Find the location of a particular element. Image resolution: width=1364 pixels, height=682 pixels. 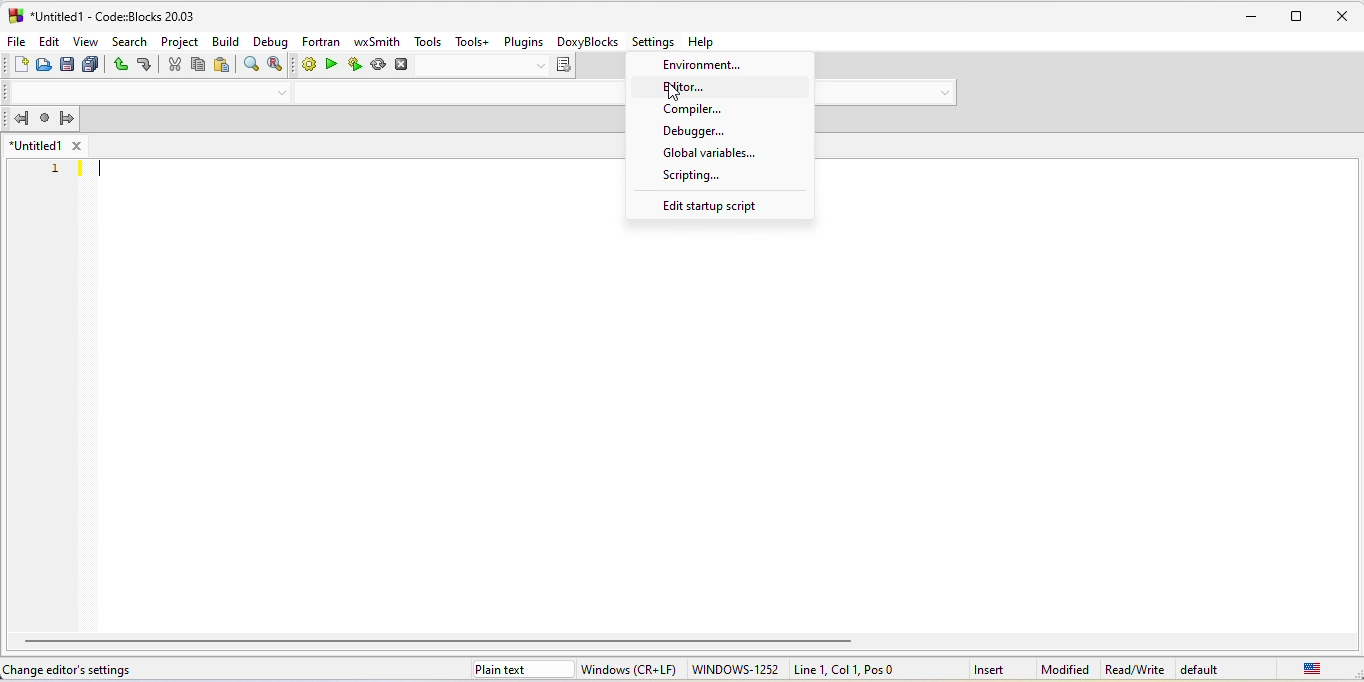

edit startup script is located at coordinates (709, 208).